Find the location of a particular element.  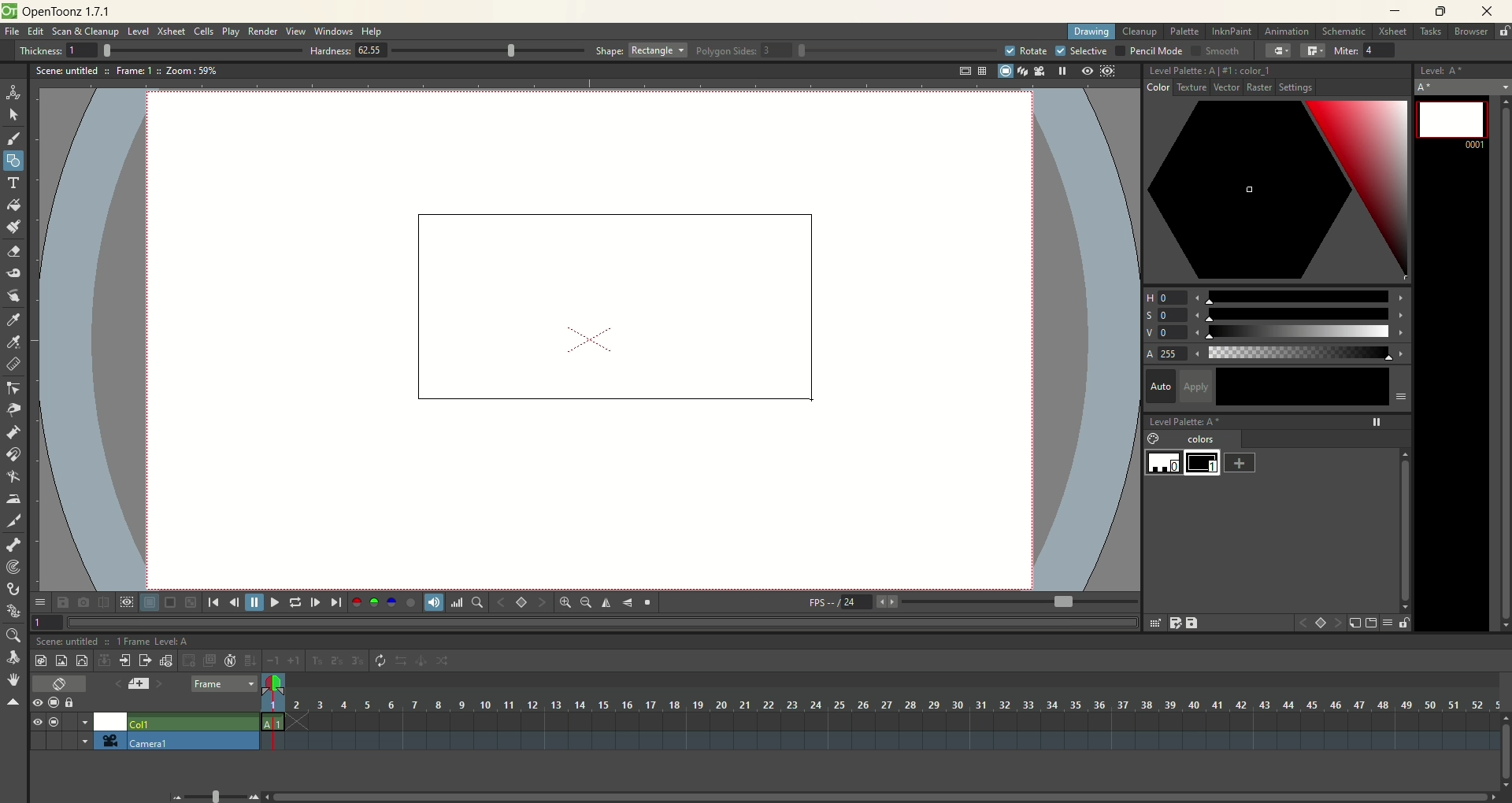

camera view is located at coordinates (1036, 71).